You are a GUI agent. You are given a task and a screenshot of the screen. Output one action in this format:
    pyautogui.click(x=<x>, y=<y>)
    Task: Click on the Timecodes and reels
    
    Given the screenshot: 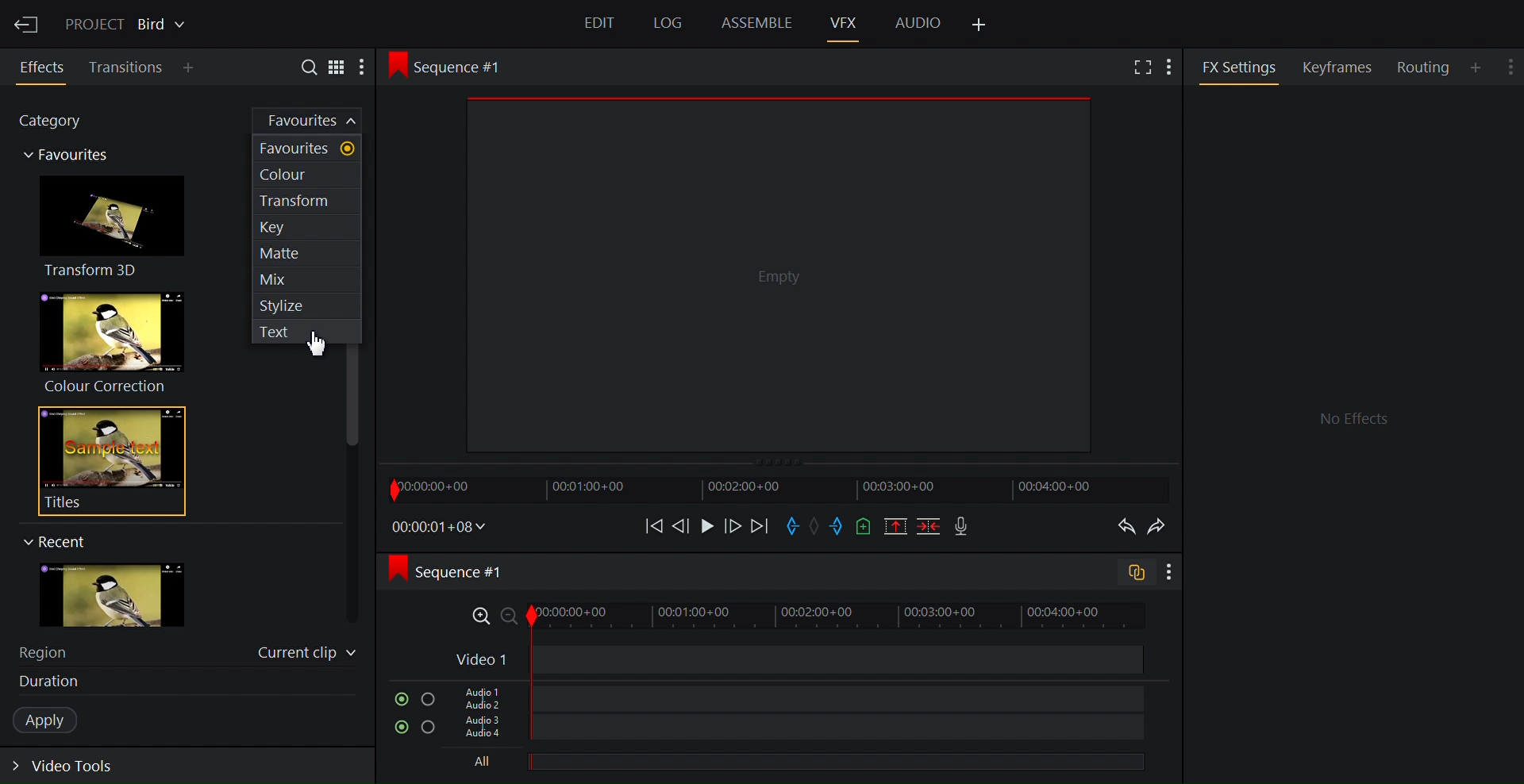 What is the action you would take?
    pyautogui.click(x=440, y=527)
    